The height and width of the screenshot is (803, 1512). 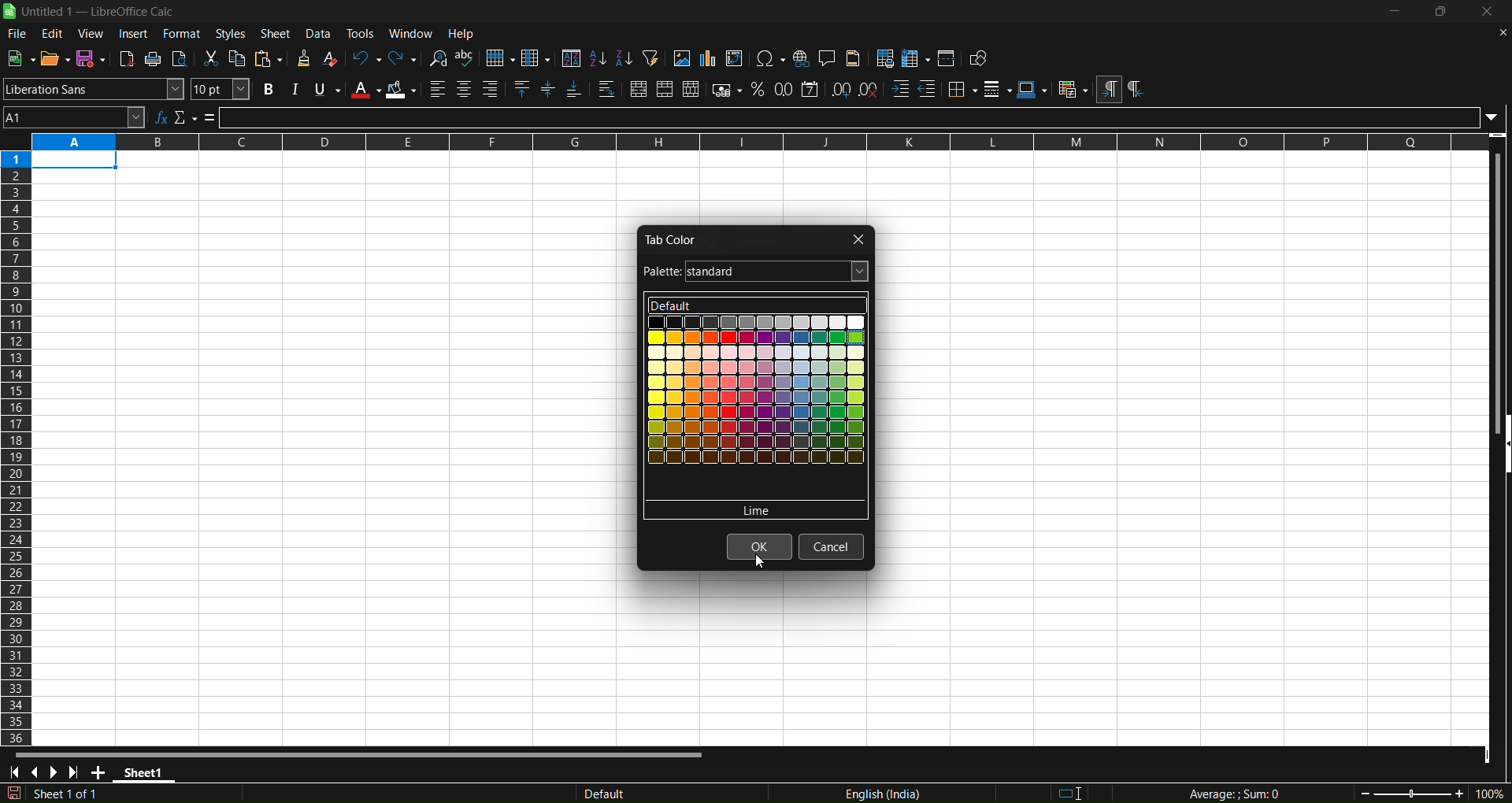 I want to click on cursor, so click(x=759, y=563).